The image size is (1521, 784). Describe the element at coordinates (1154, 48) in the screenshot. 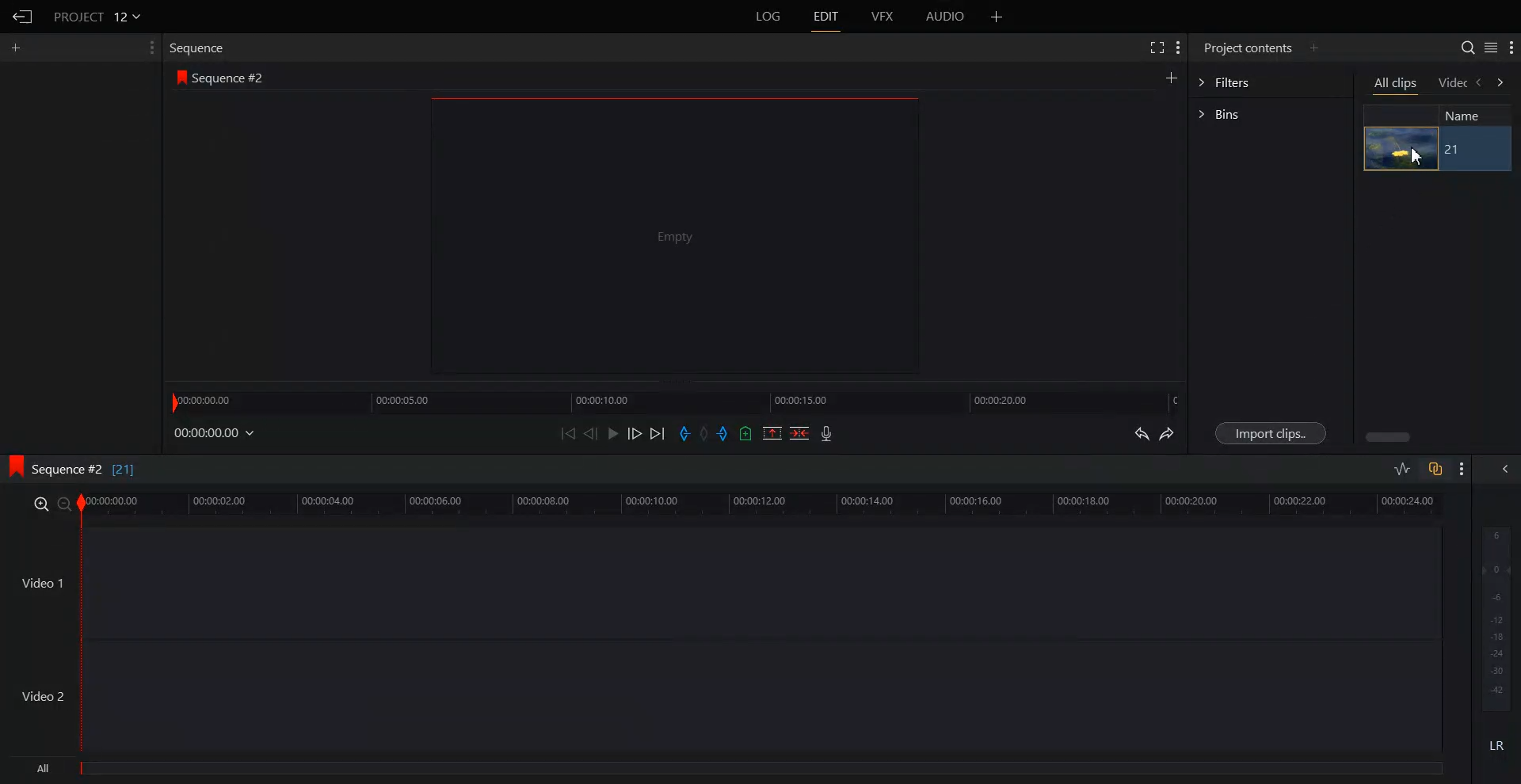

I see `Full screen` at that location.